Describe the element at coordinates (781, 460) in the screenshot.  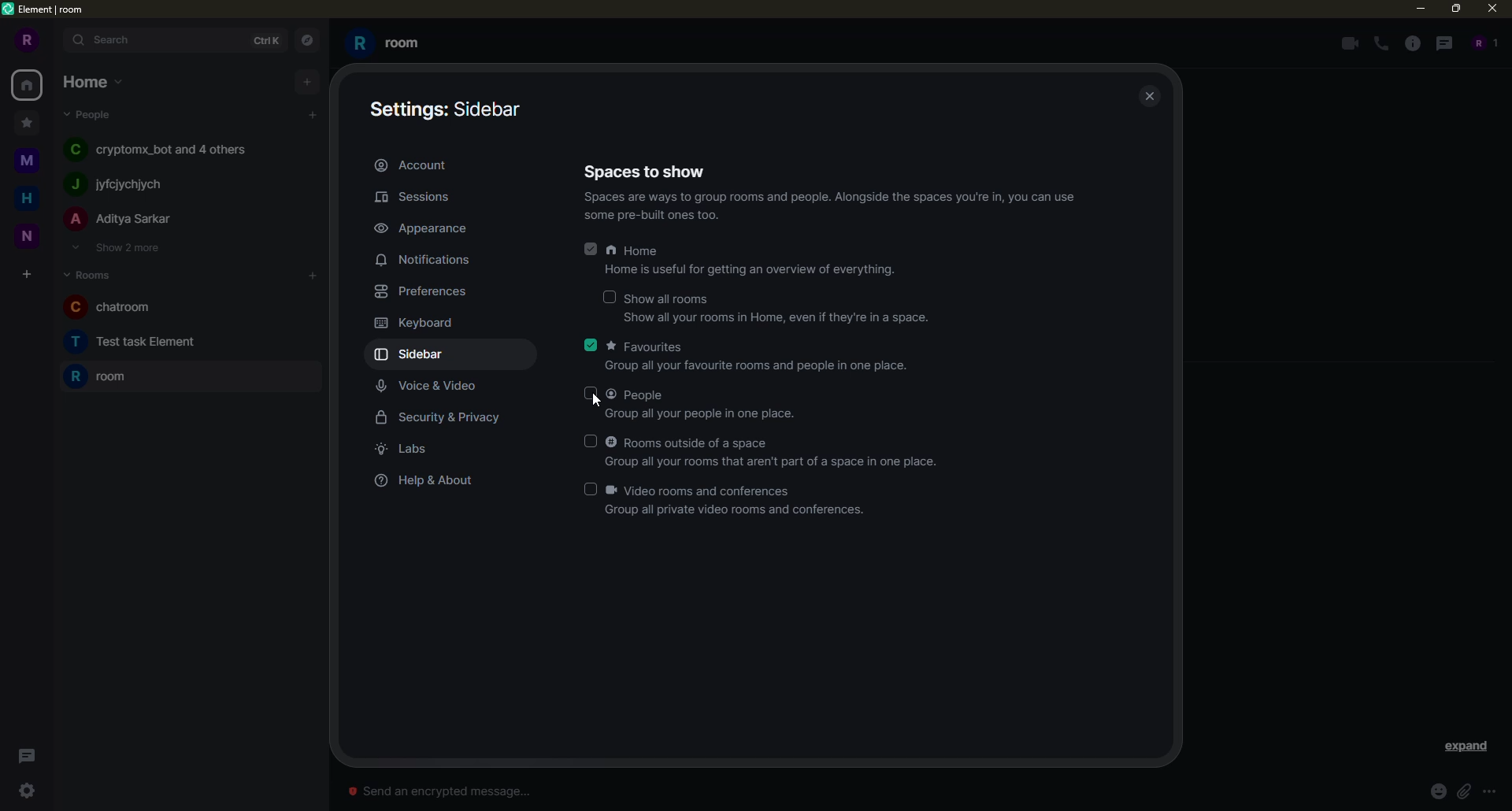
I see `Group all your rooms that aren't part of a space in one place.` at that location.